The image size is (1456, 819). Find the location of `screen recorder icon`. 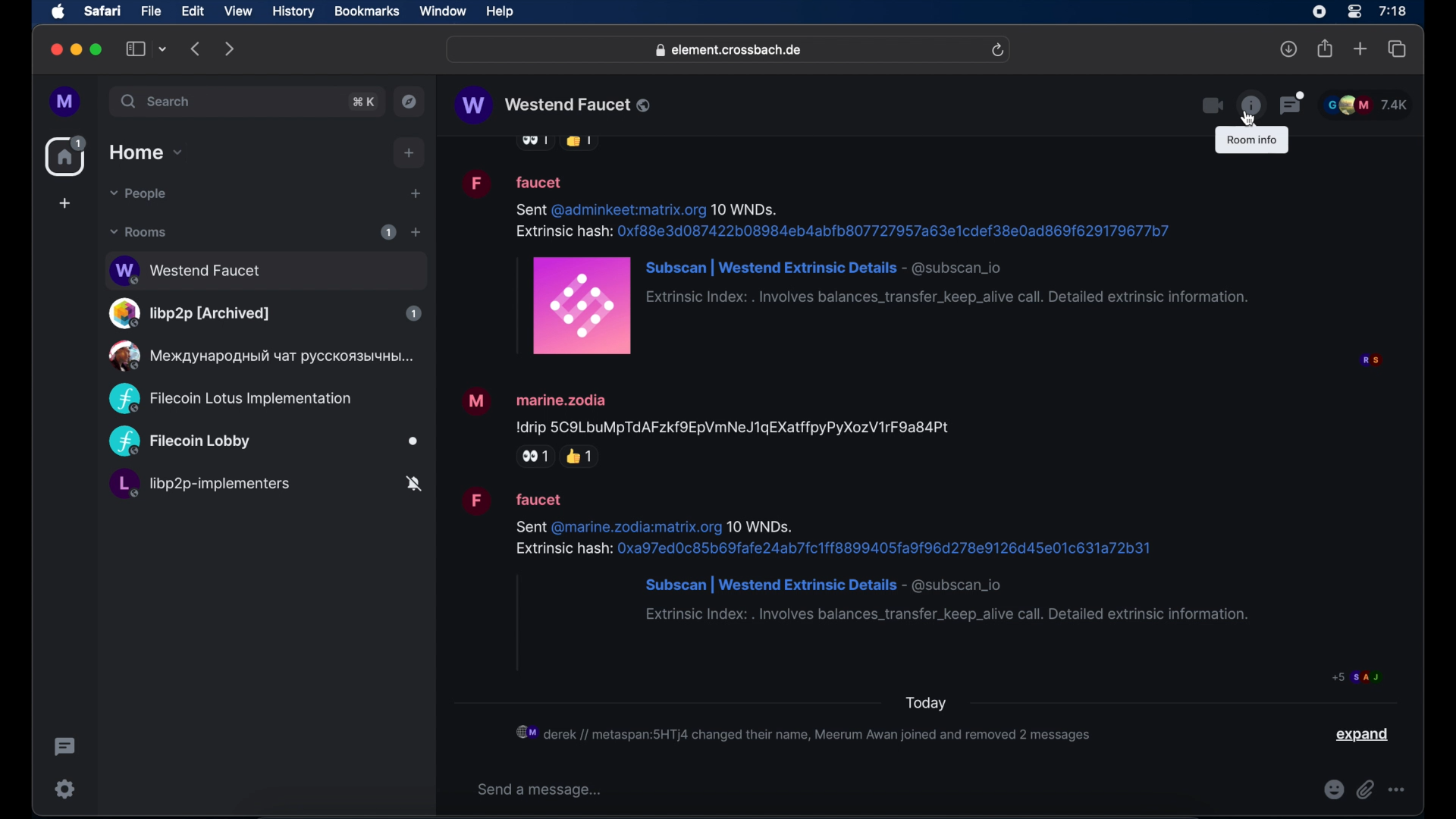

screen recorder icon is located at coordinates (1319, 12).